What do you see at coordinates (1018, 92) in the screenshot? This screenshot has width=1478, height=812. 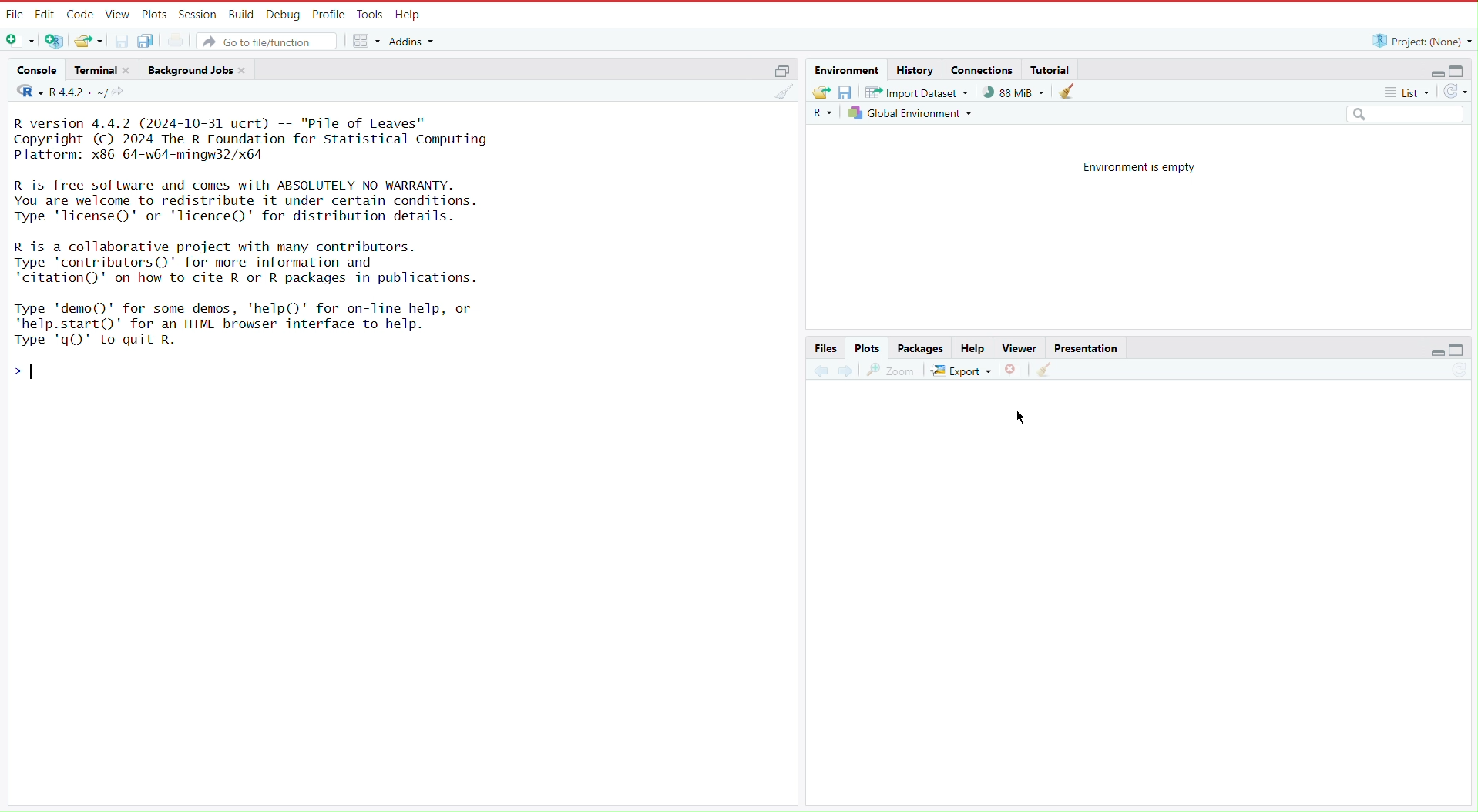 I see `88kib used by R session (Source: Windows System)` at bounding box center [1018, 92].